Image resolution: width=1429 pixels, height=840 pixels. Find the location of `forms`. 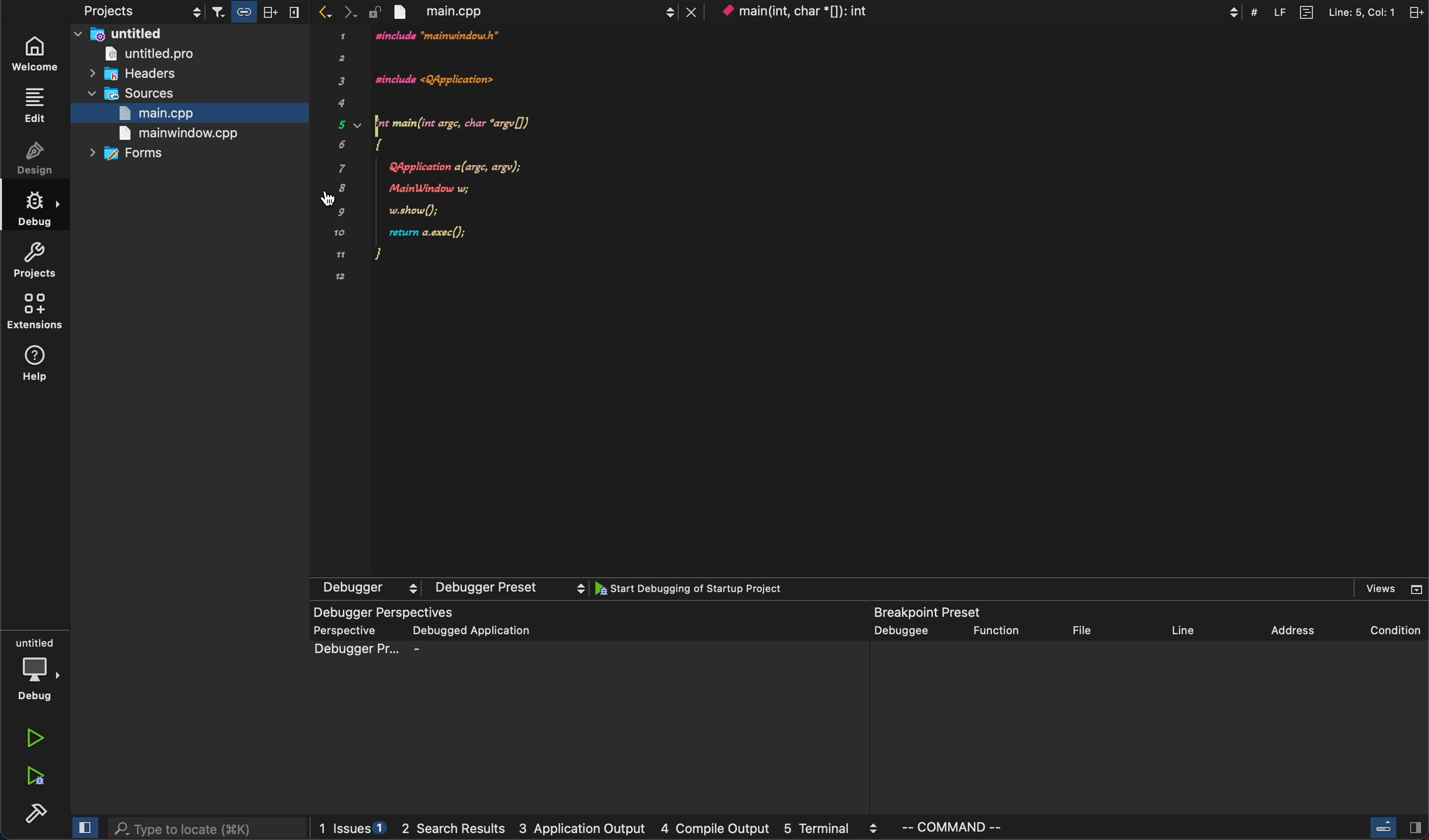

forms is located at coordinates (145, 155).